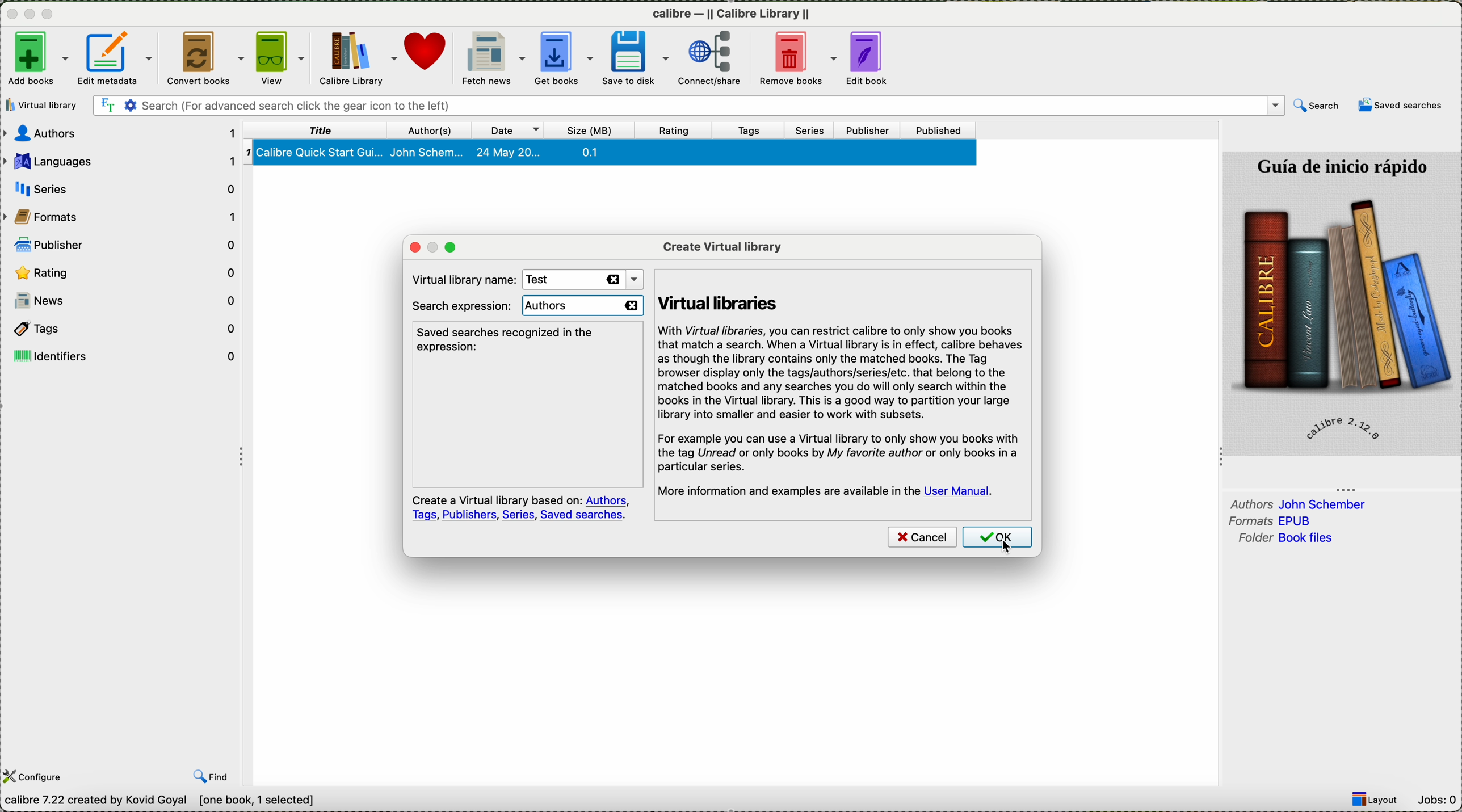 Image resolution: width=1462 pixels, height=812 pixels. What do you see at coordinates (317, 130) in the screenshot?
I see `title` at bounding box center [317, 130].